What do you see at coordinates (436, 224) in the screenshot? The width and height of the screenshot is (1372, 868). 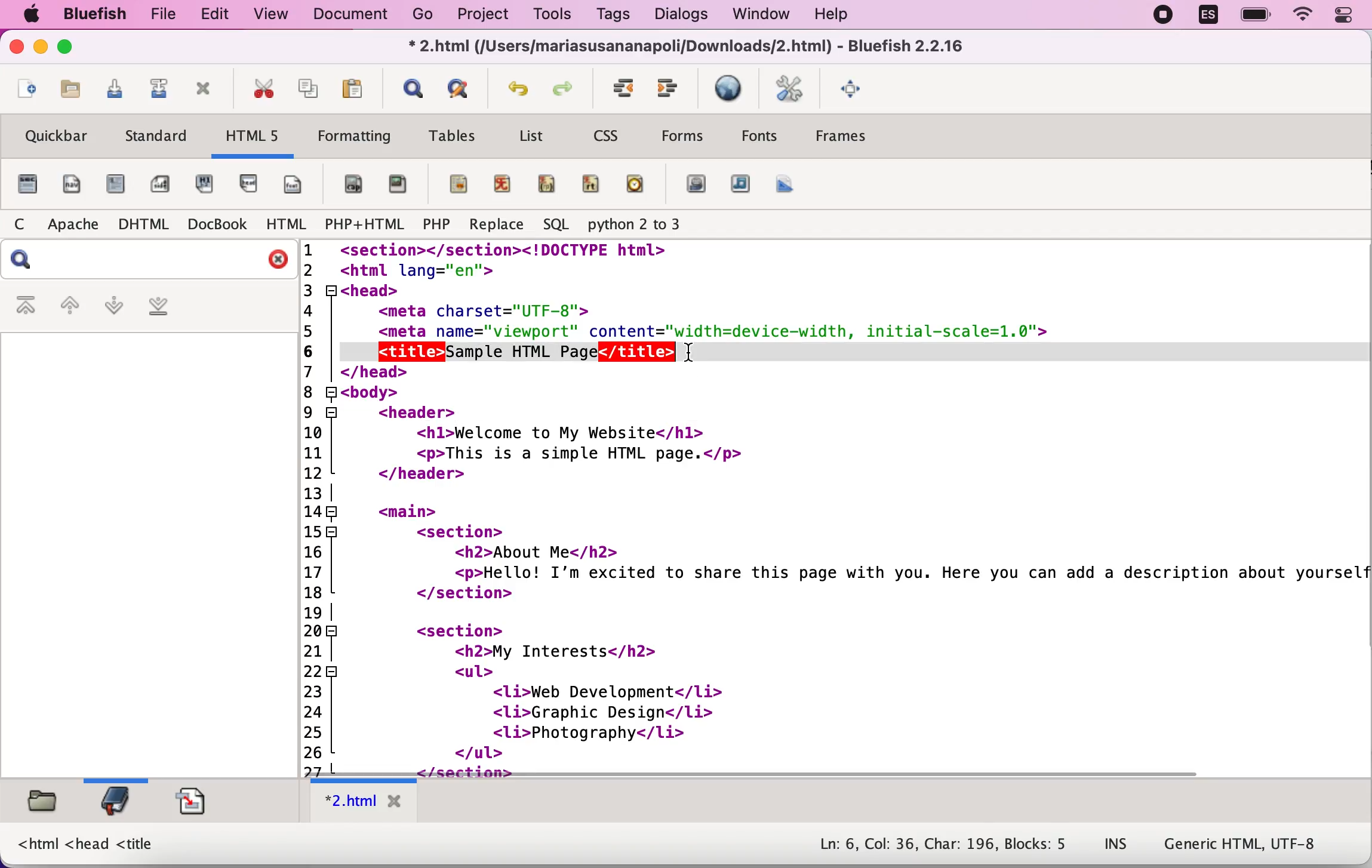 I see `php` at bounding box center [436, 224].